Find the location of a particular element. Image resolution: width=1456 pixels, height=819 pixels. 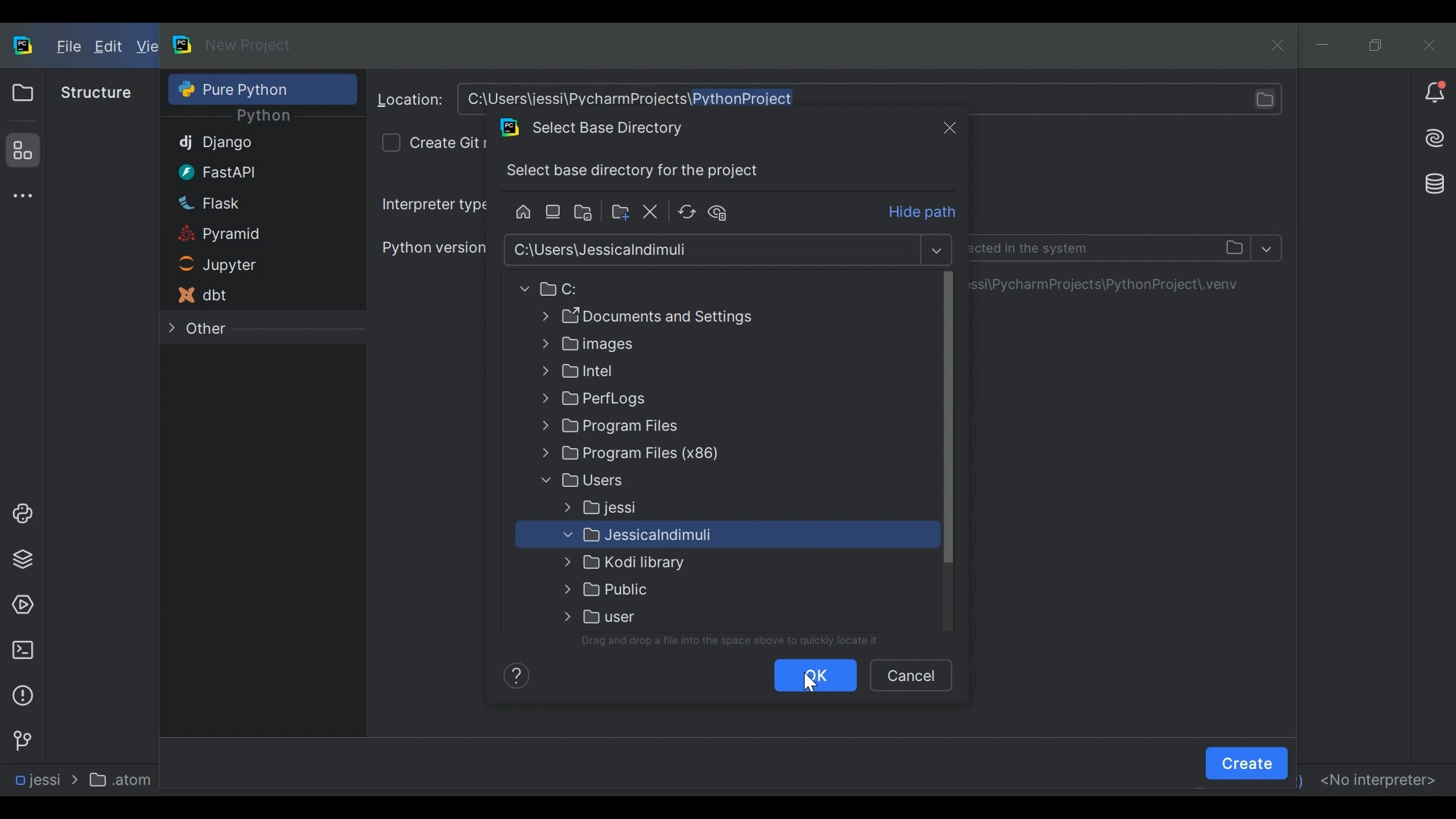

Other is located at coordinates (240, 329).